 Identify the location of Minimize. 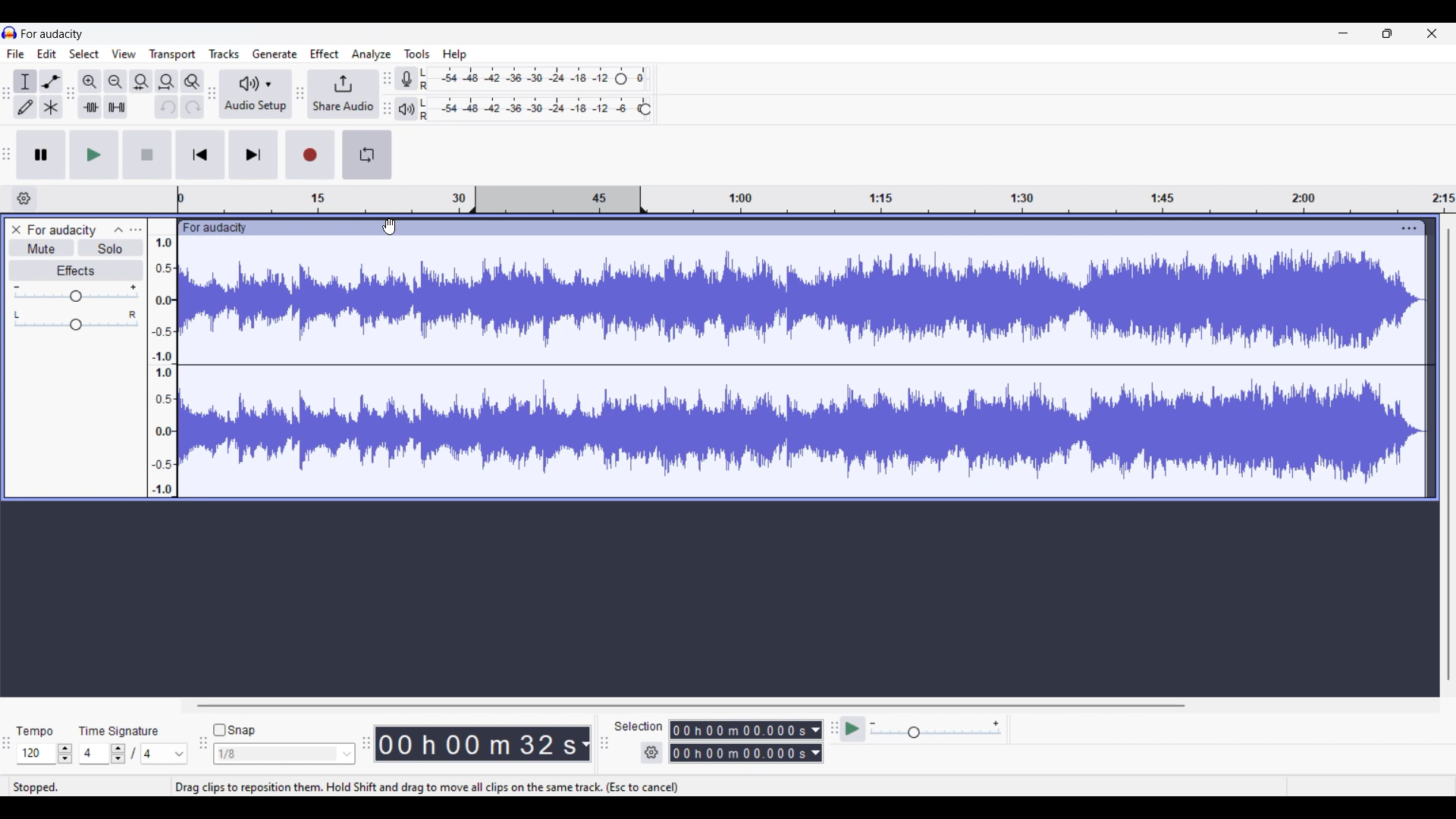
(1344, 33).